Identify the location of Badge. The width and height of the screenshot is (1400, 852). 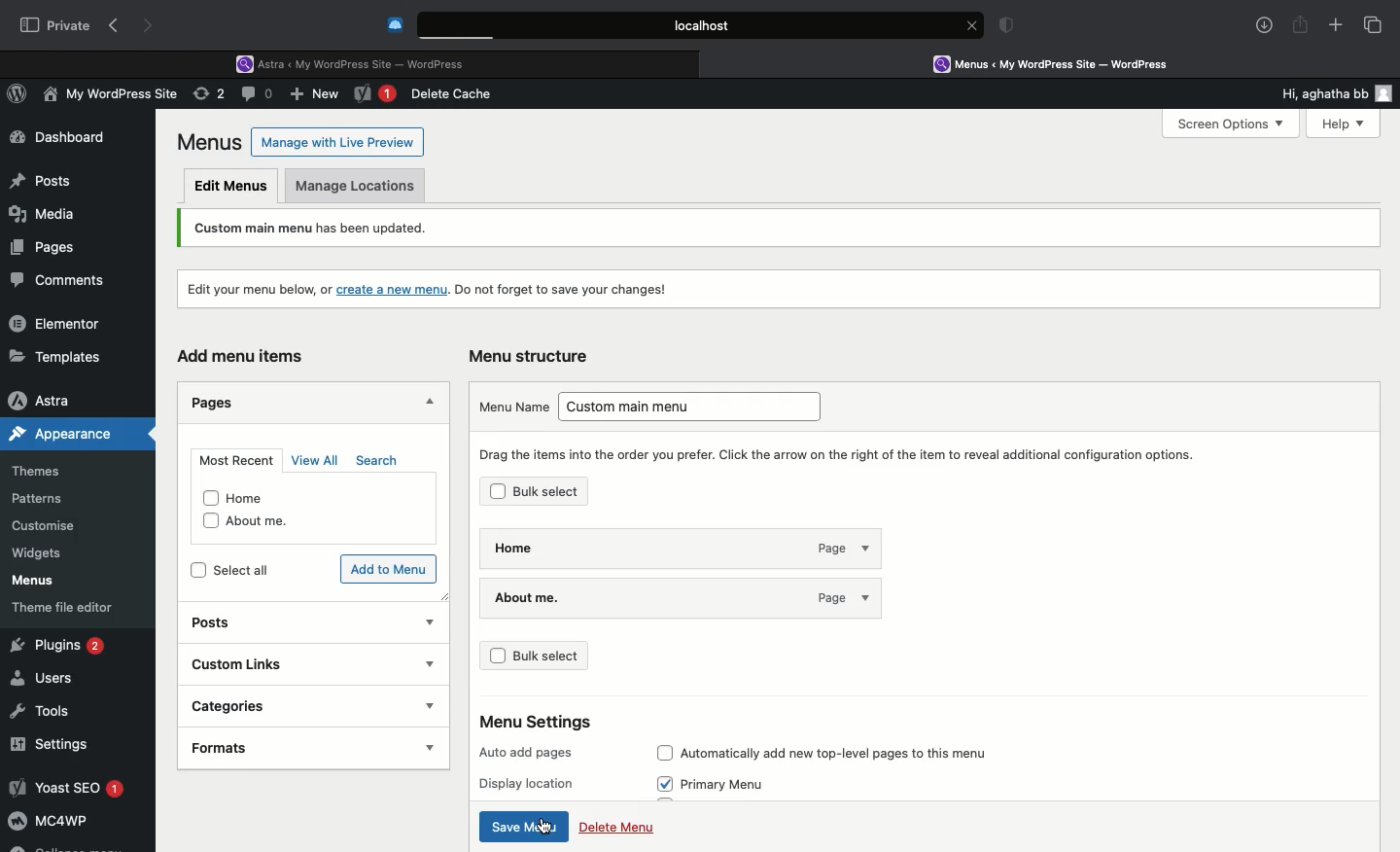
(1010, 27).